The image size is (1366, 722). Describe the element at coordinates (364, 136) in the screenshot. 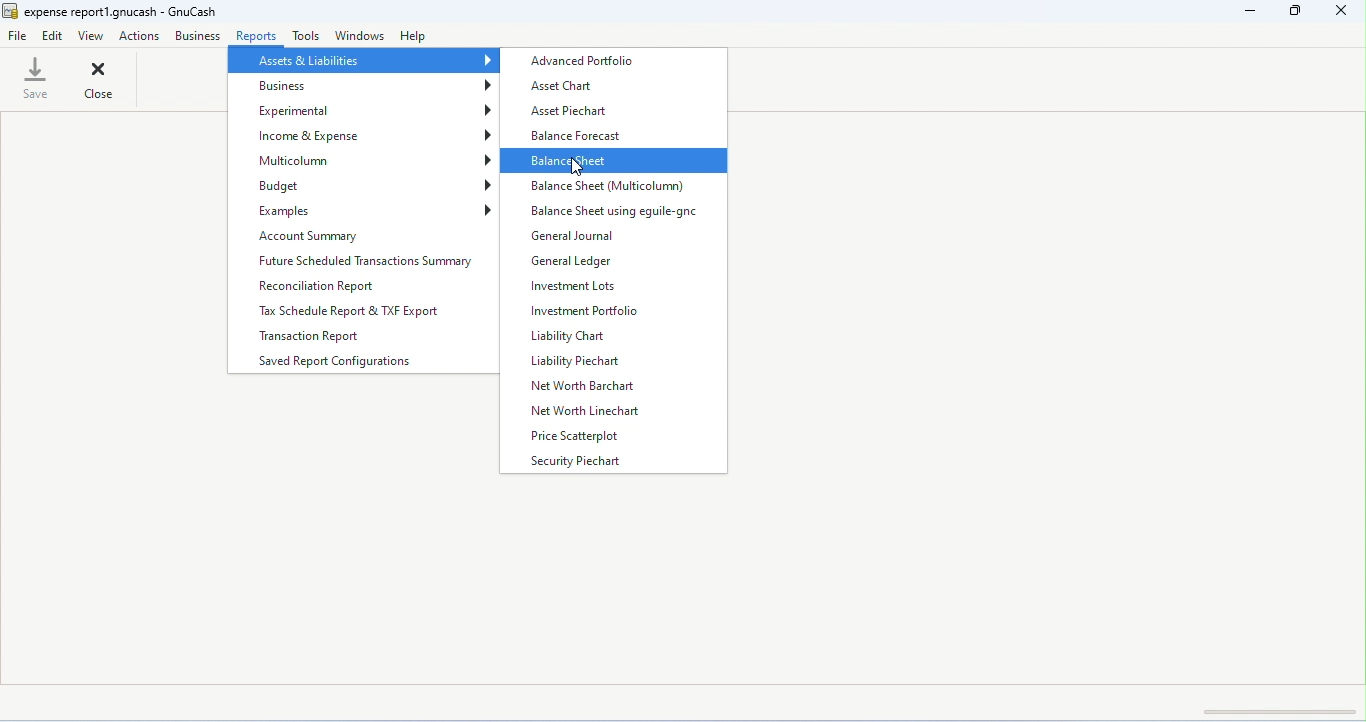

I see `income and expense` at that location.